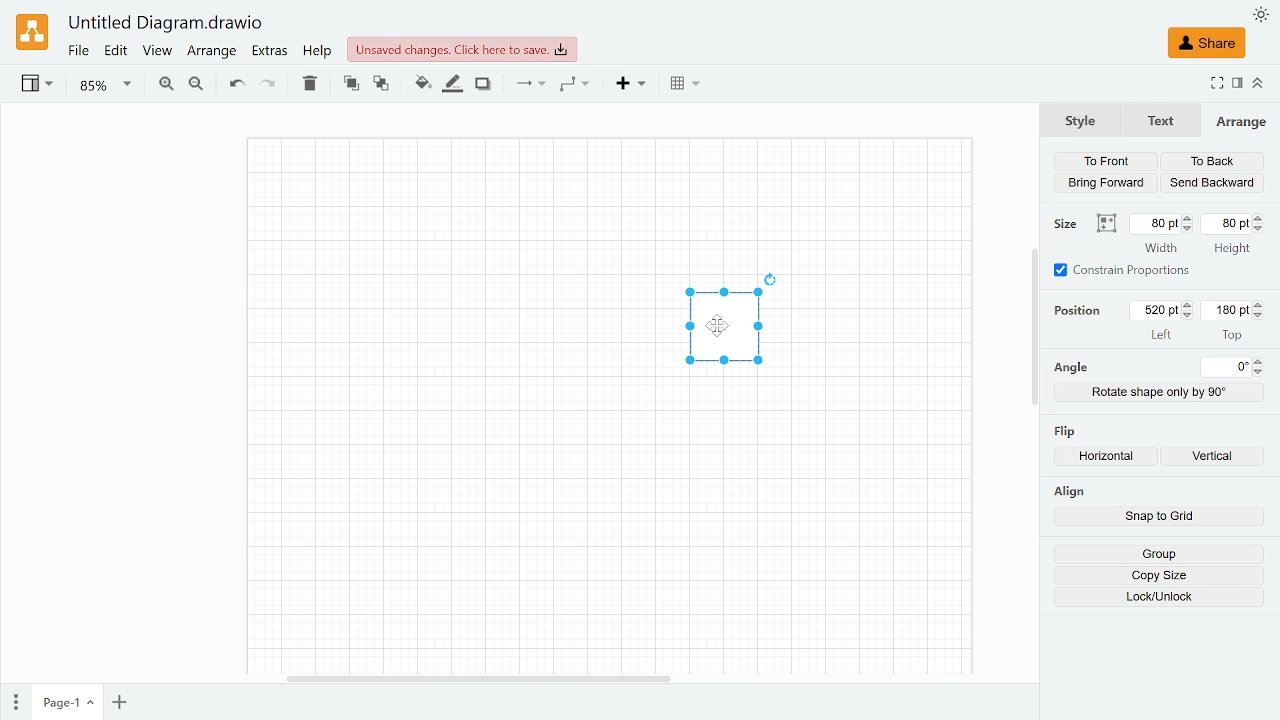 The height and width of the screenshot is (720, 1280). I want to click on Redo, so click(267, 85).